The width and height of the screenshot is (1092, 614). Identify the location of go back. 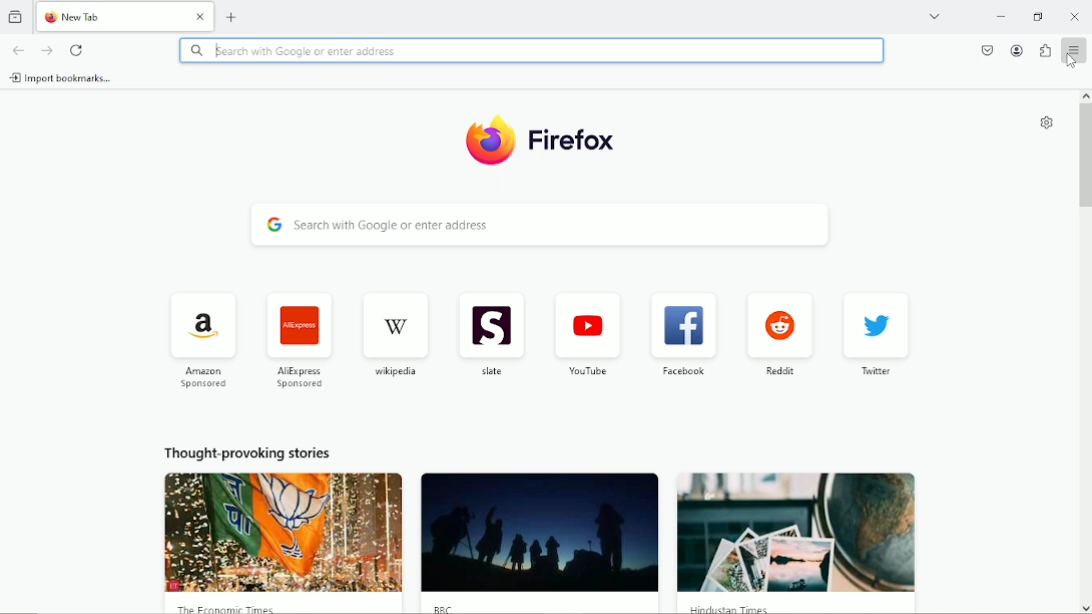
(18, 51).